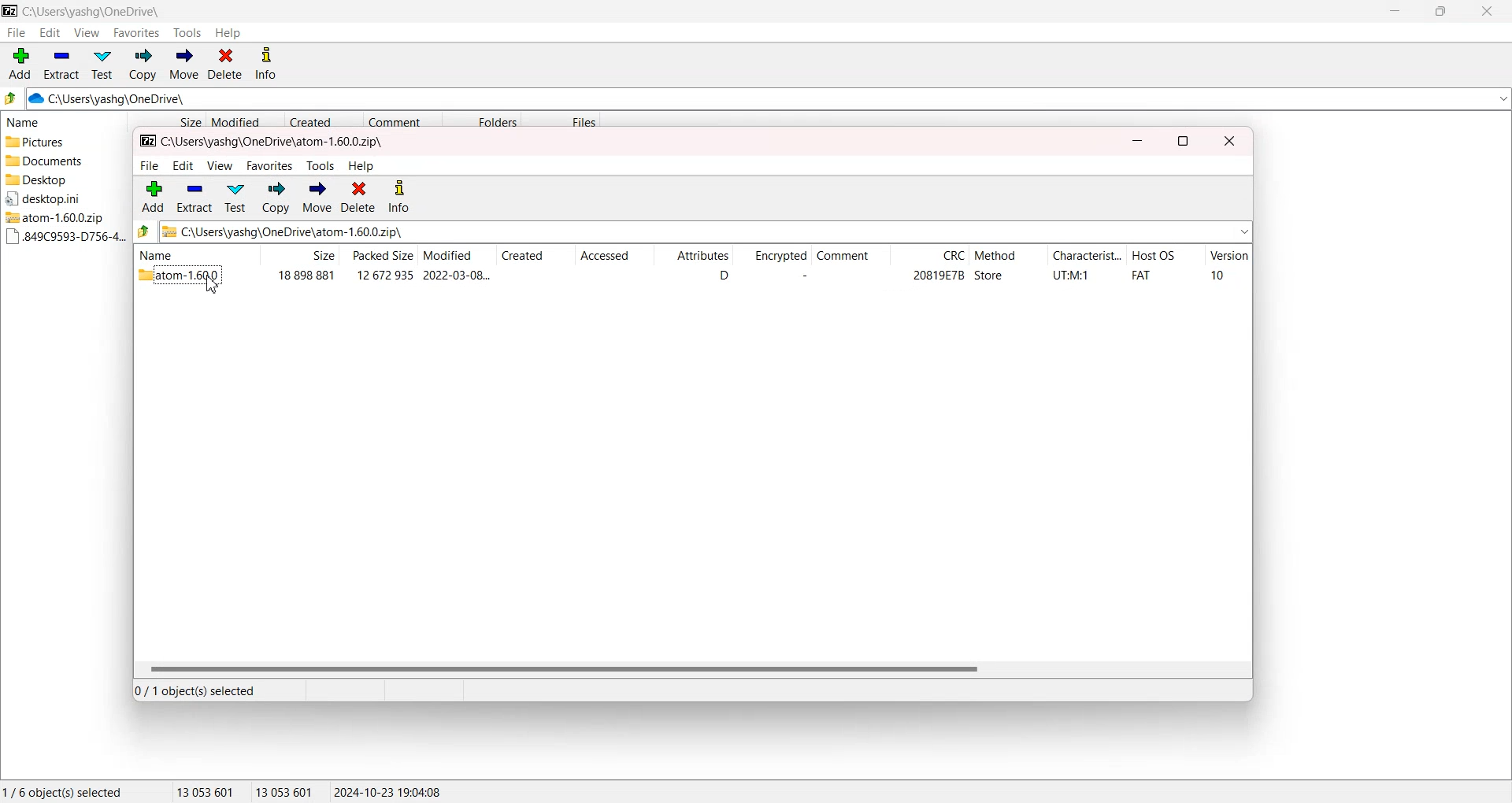 This screenshot has height=803, width=1512. I want to click on Comment, so click(402, 120).